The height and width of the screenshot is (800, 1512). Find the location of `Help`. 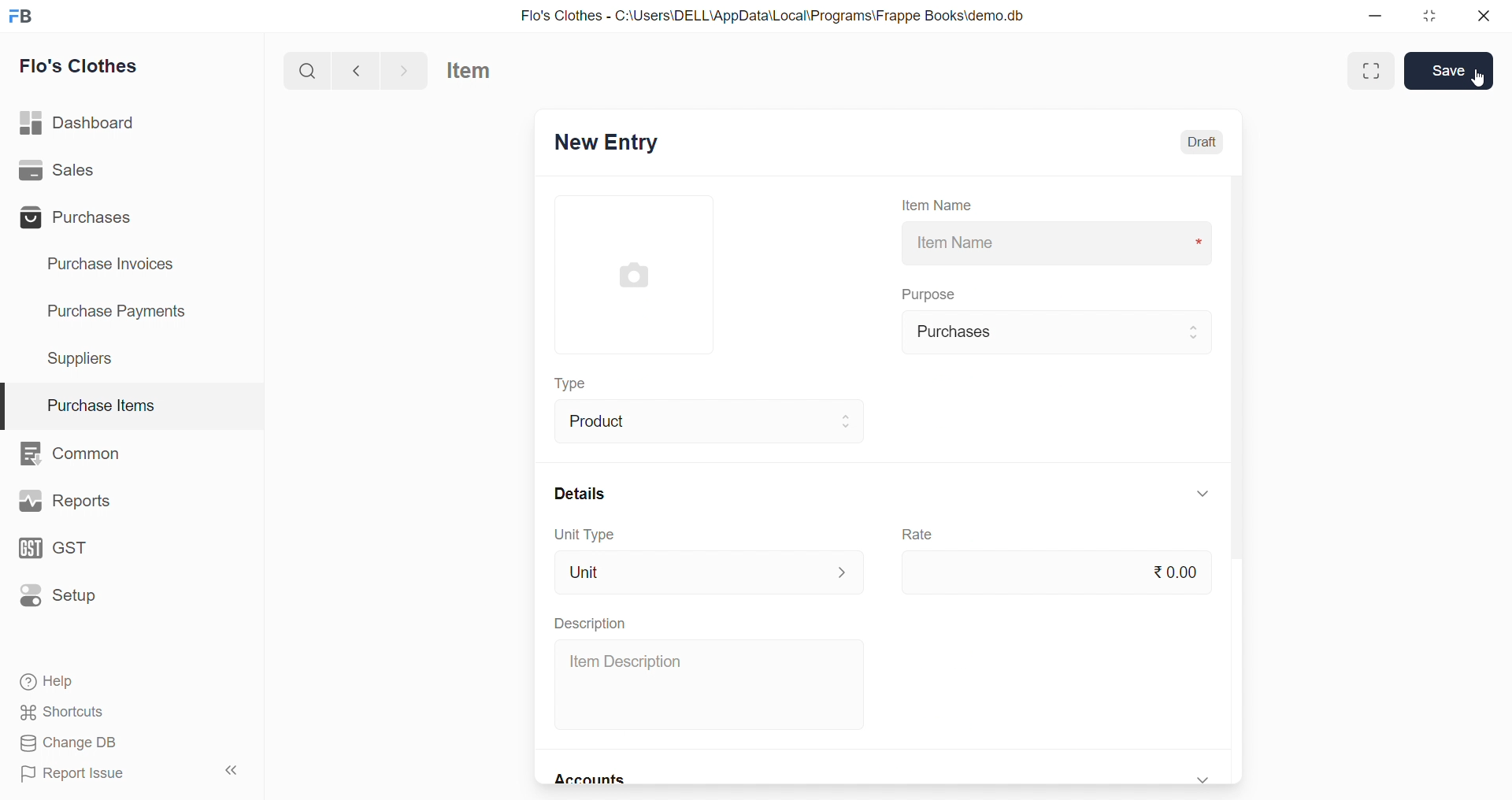

Help is located at coordinates (124, 680).